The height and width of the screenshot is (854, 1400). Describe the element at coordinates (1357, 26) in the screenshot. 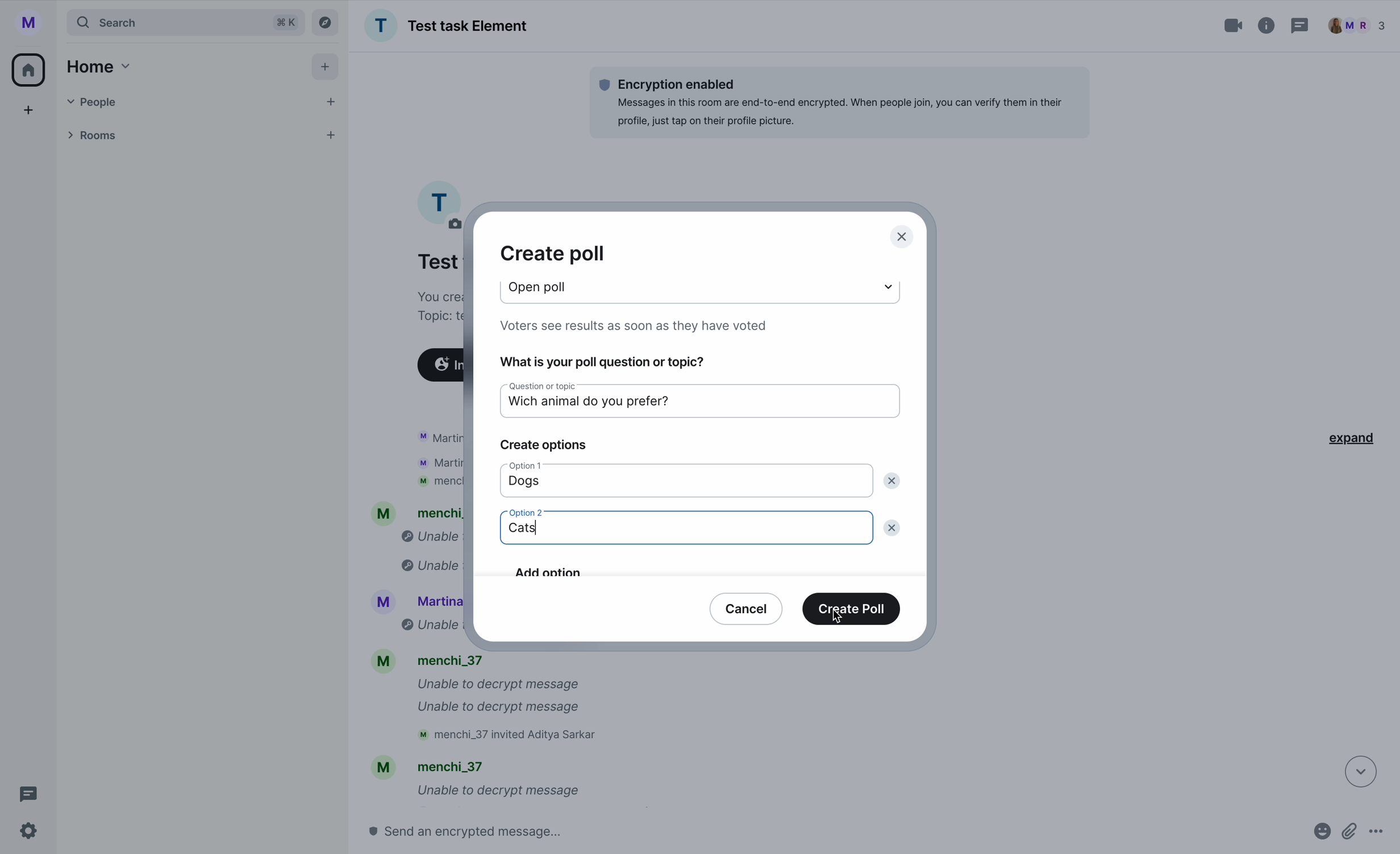

I see `people` at that location.